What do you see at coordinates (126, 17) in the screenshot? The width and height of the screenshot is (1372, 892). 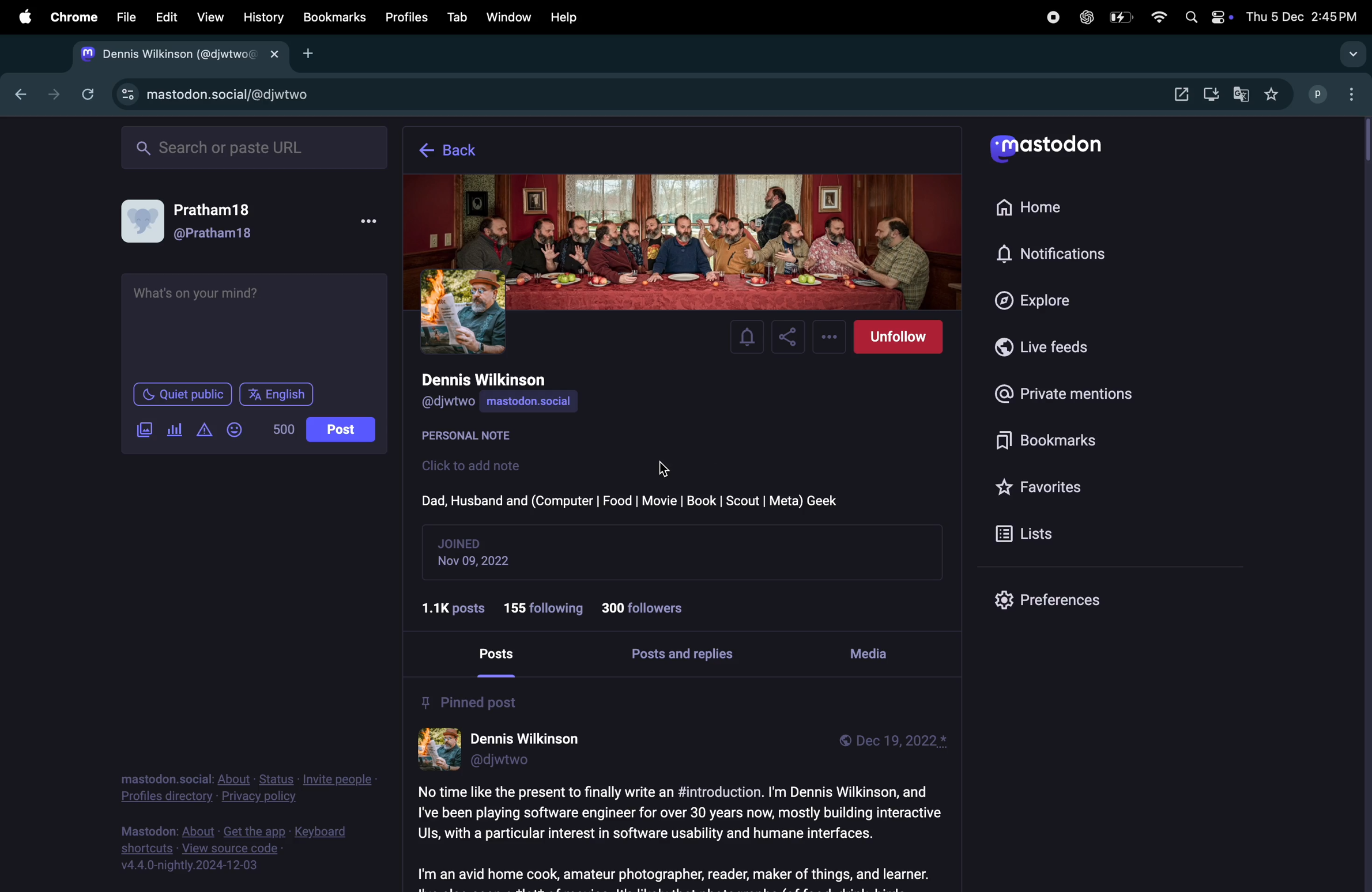 I see `file` at bounding box center [126, 17].